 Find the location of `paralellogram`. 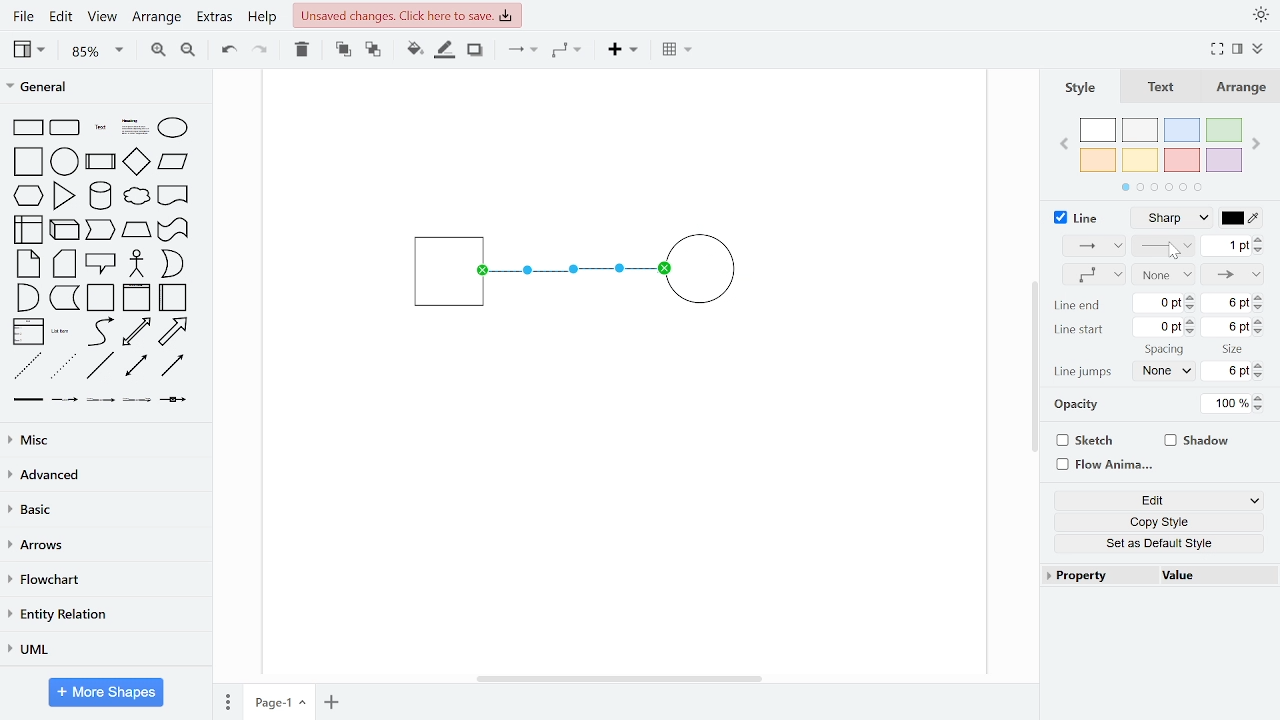

paralellogram is located at coordinates (173, 161).